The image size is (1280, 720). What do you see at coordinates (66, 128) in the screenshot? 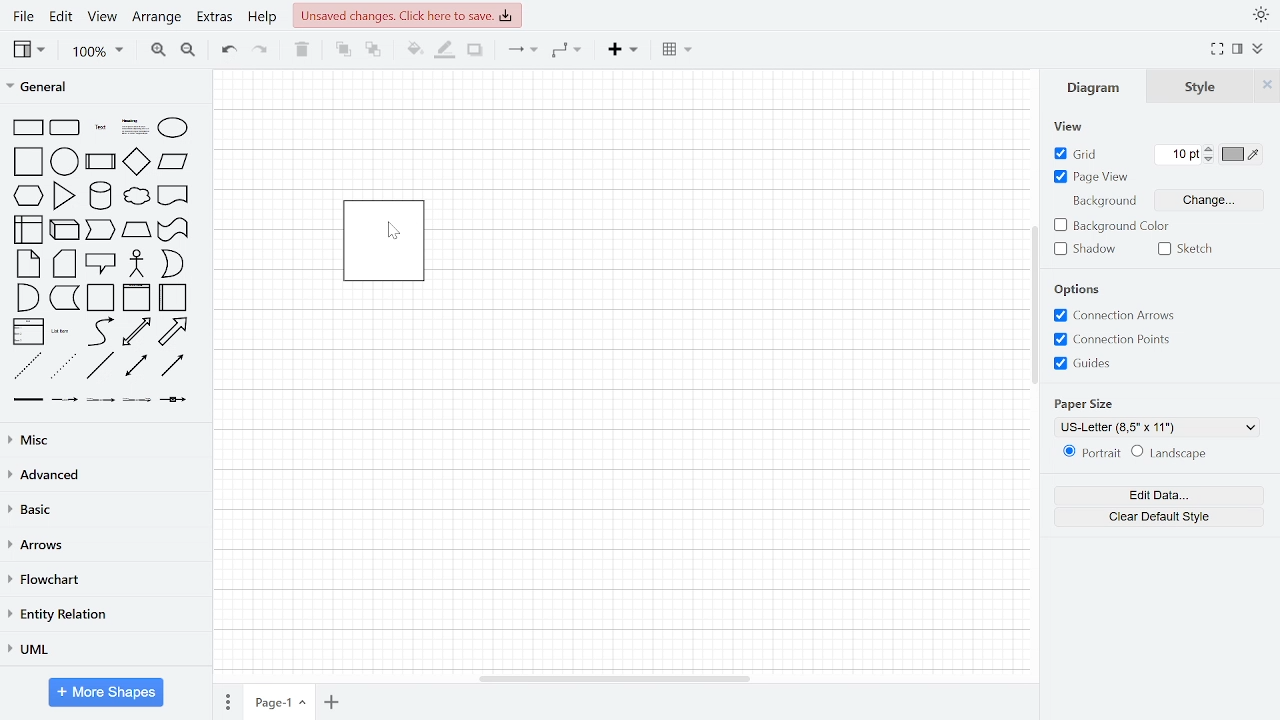
I see `rounded rectangle` at bounding box center [66, 128].